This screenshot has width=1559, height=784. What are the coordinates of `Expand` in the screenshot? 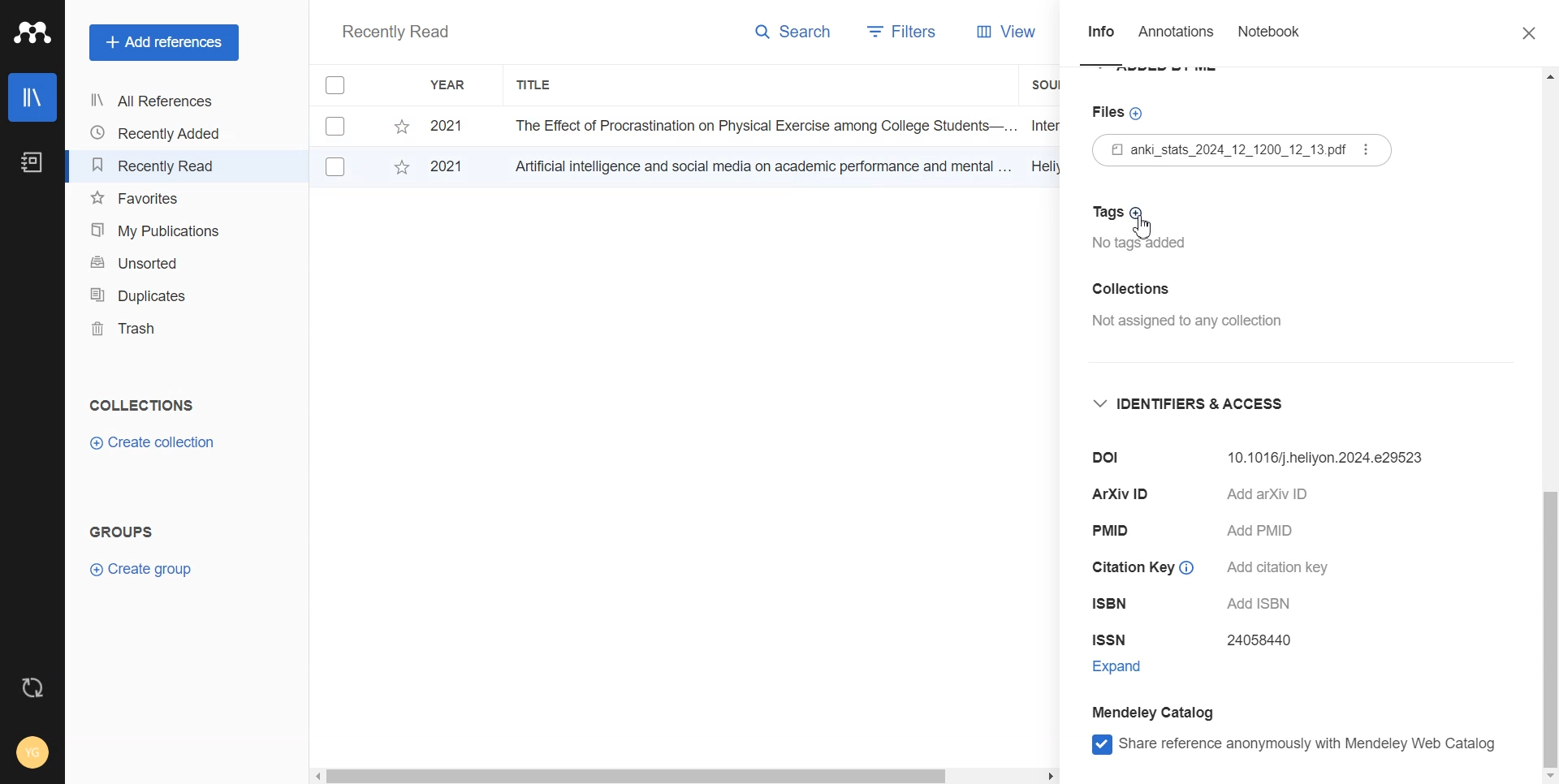 It's located at (1129, 666).